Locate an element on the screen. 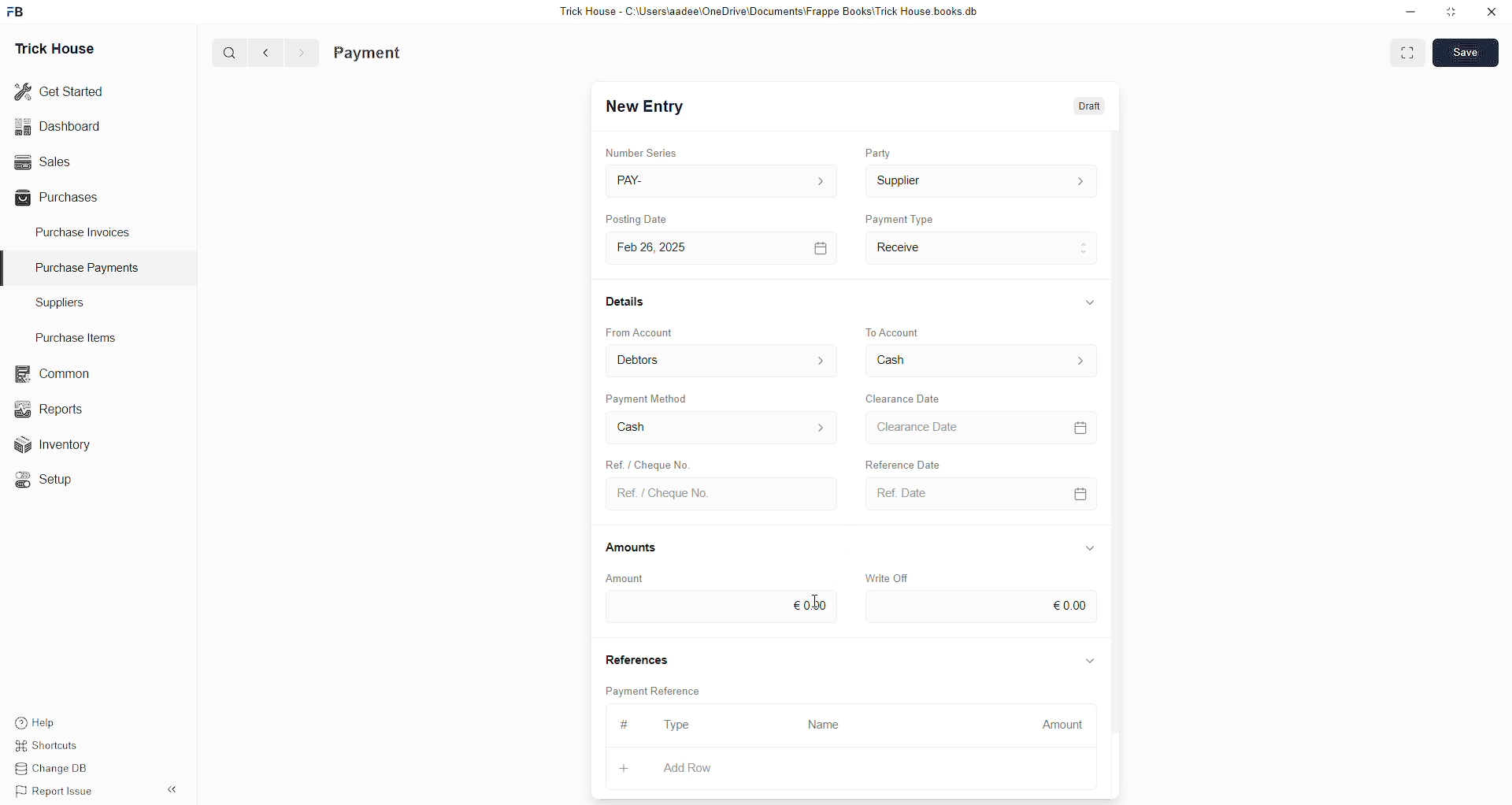 The image size is (1512, 805). frappebooks logo is located at coordinates (17, 9).